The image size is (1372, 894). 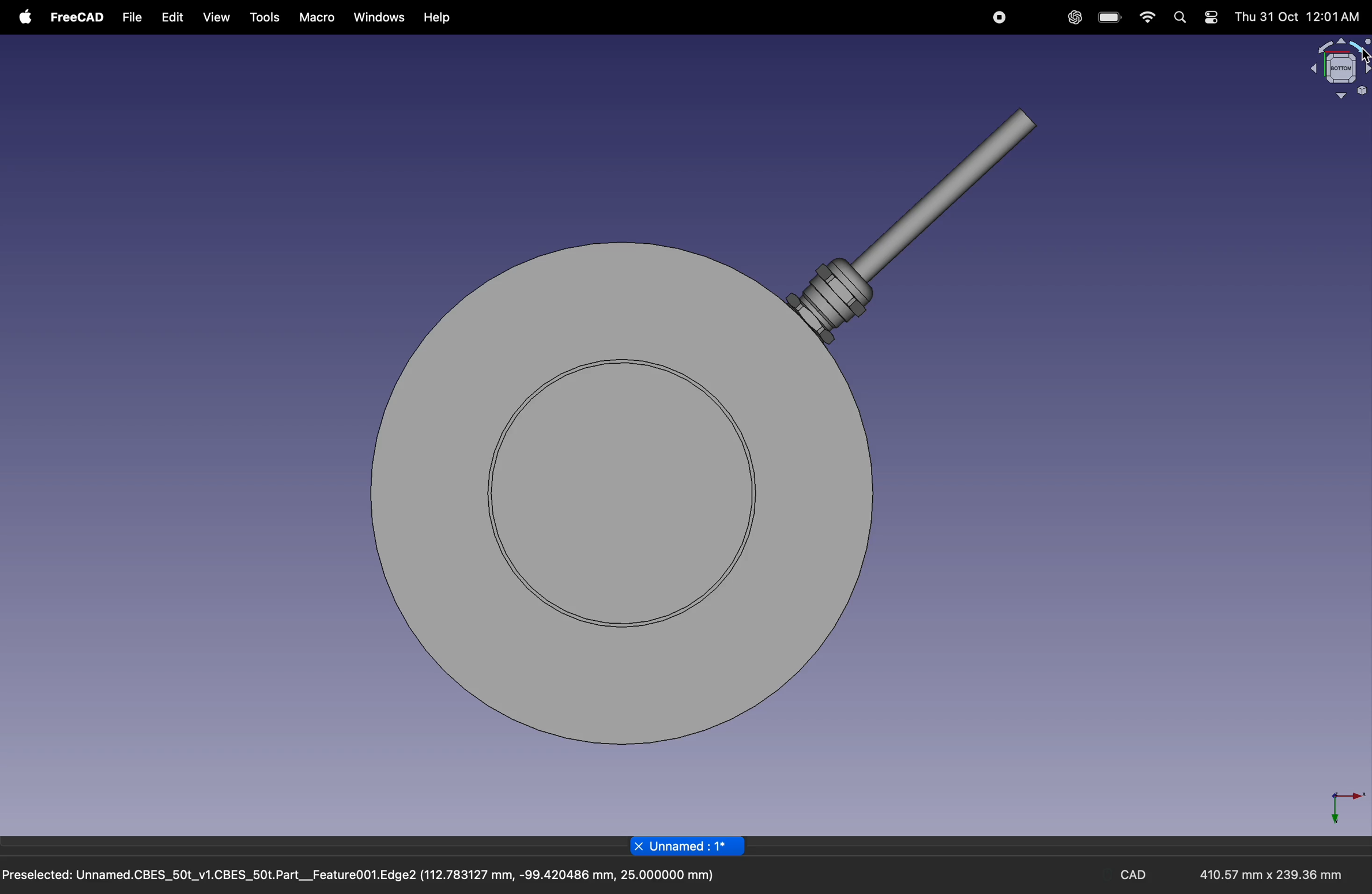 I want to click on Thu 31 Oct  12:01 AM, so click(x=1298, y=16).